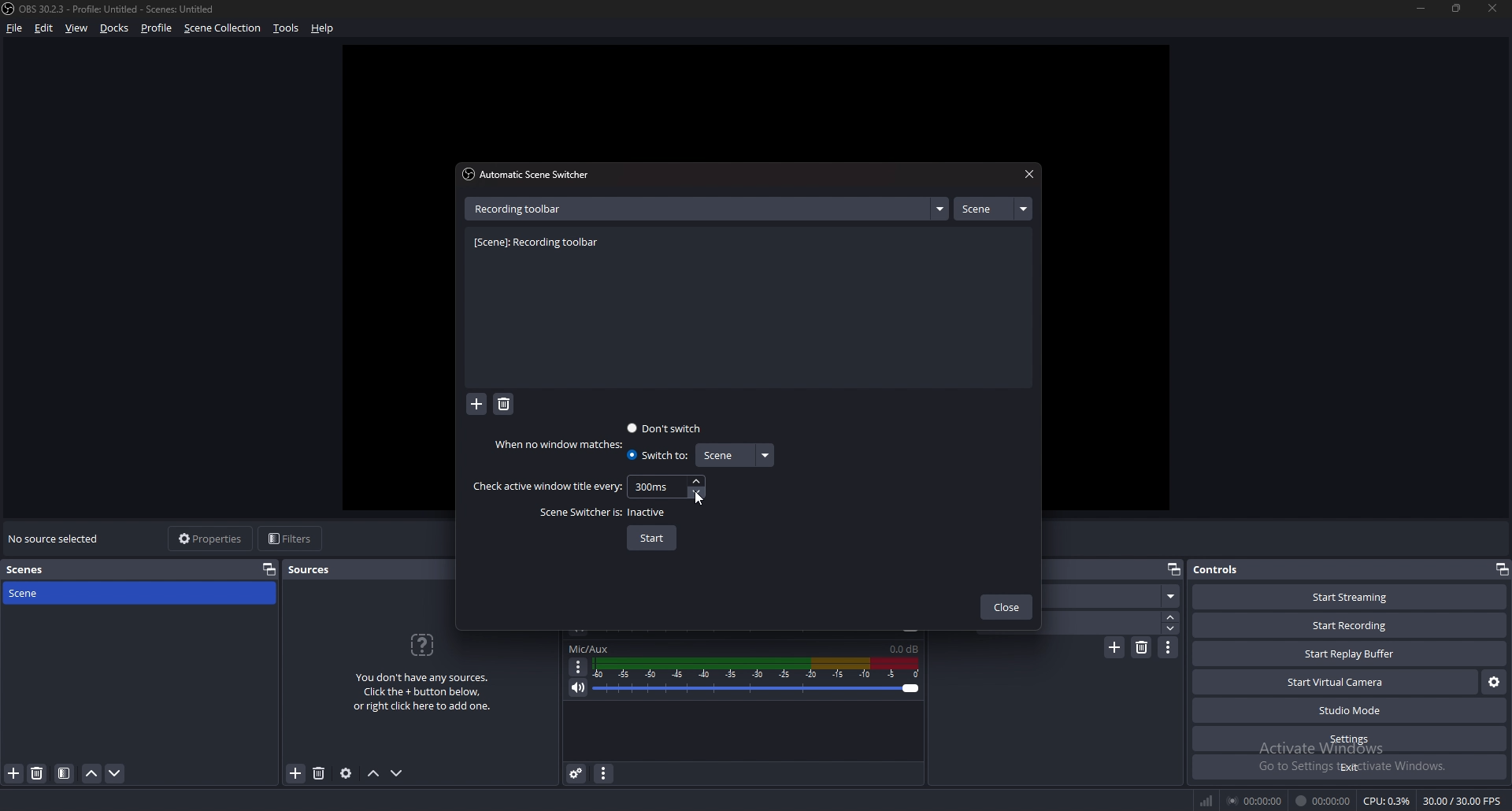 The height and width of the screenshot is (811, 1512). What do you see at coordinates (904, 649) in the screenshot?
I see `volume level` at bounding box center [904, 649].